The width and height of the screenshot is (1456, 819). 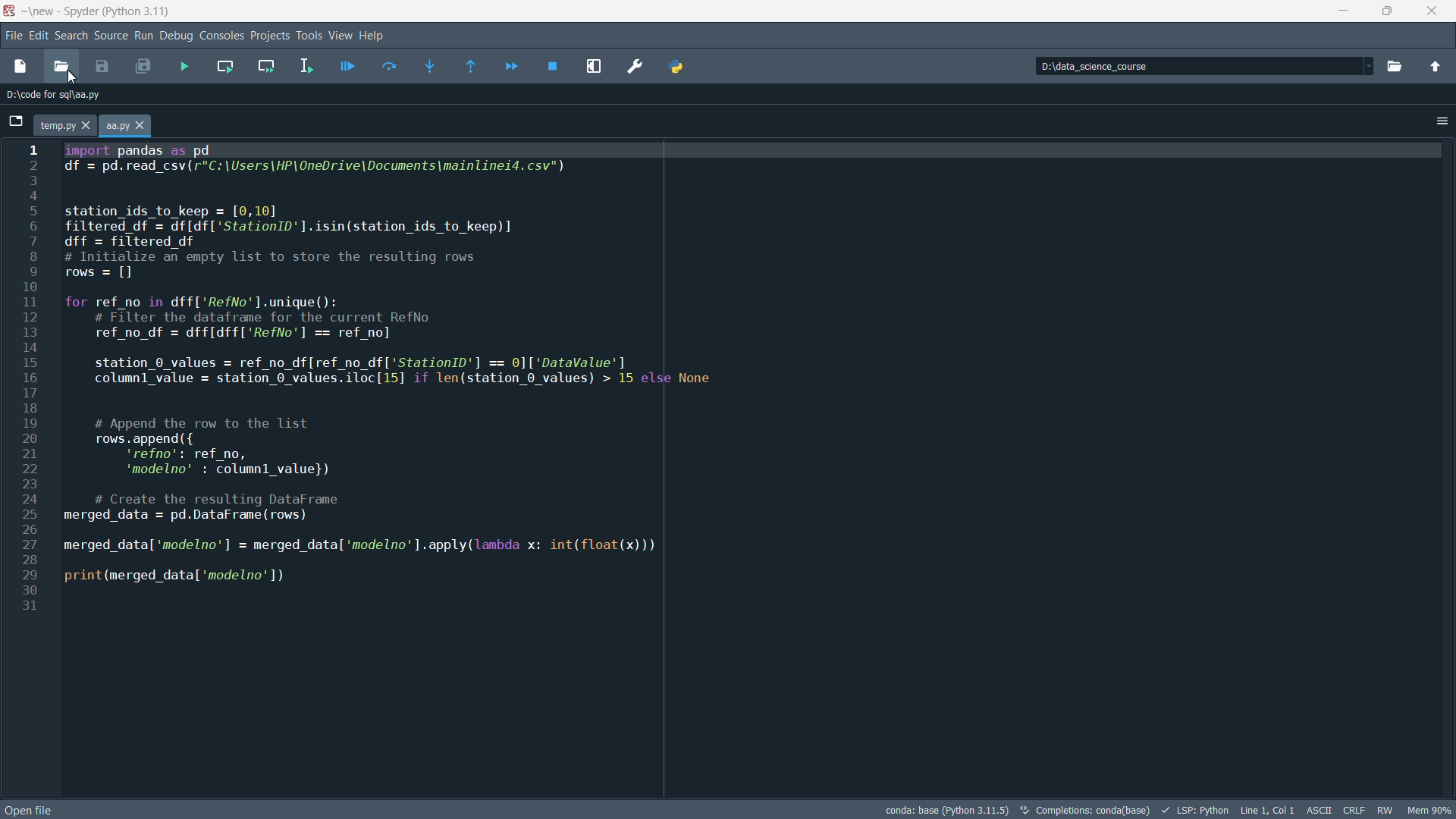 I want to click on run file, so click(x=187, y=66).